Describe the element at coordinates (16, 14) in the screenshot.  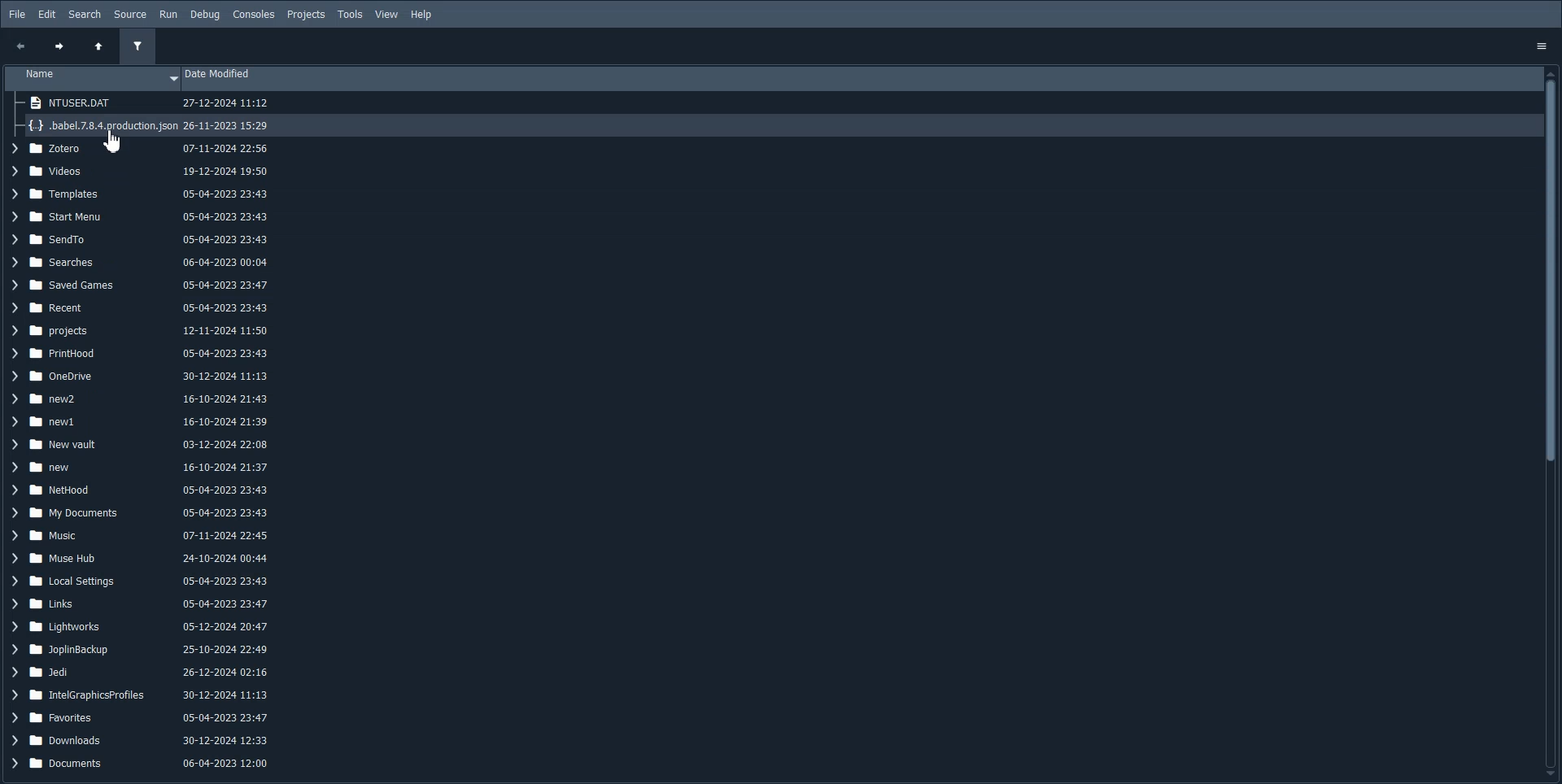
I see `File` at that location.